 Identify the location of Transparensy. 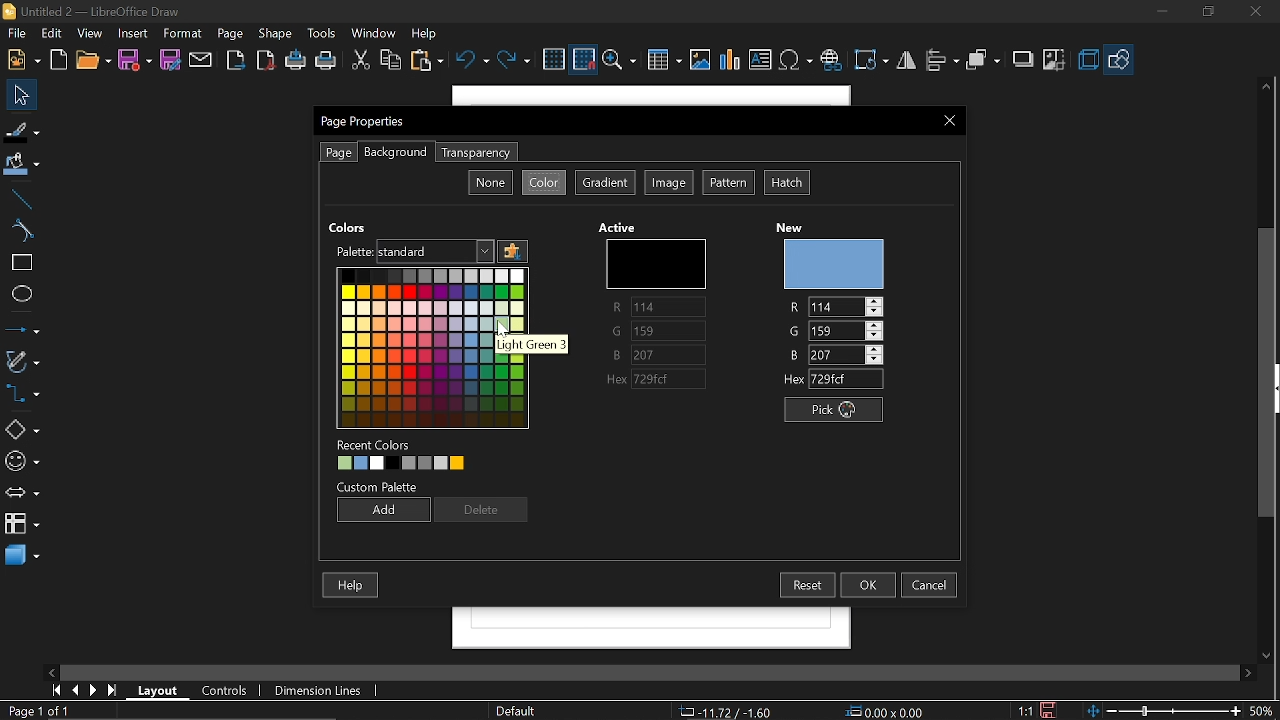
(474, 153).